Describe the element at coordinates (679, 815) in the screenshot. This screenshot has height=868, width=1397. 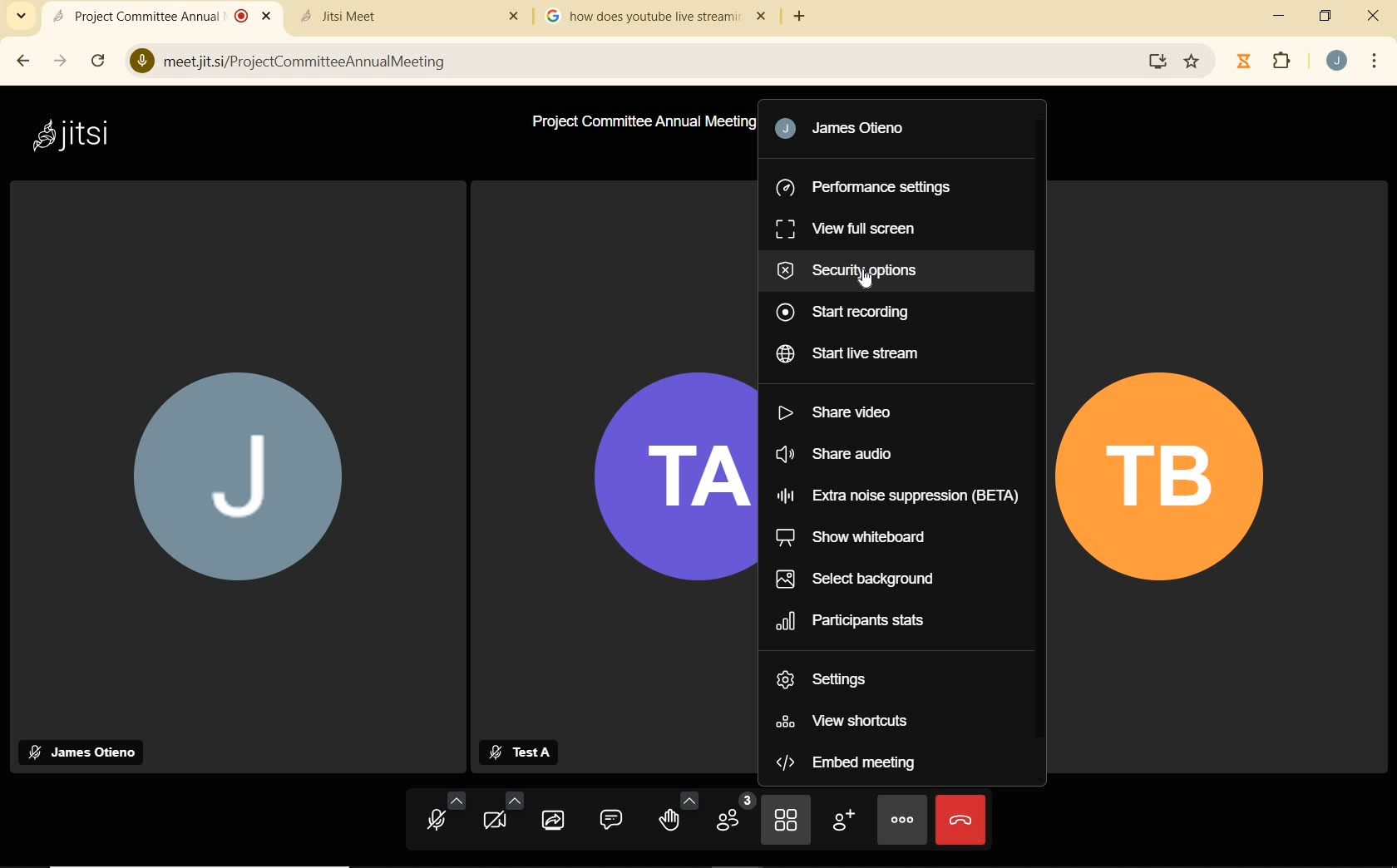
I see `RAISE HAND` at that location.